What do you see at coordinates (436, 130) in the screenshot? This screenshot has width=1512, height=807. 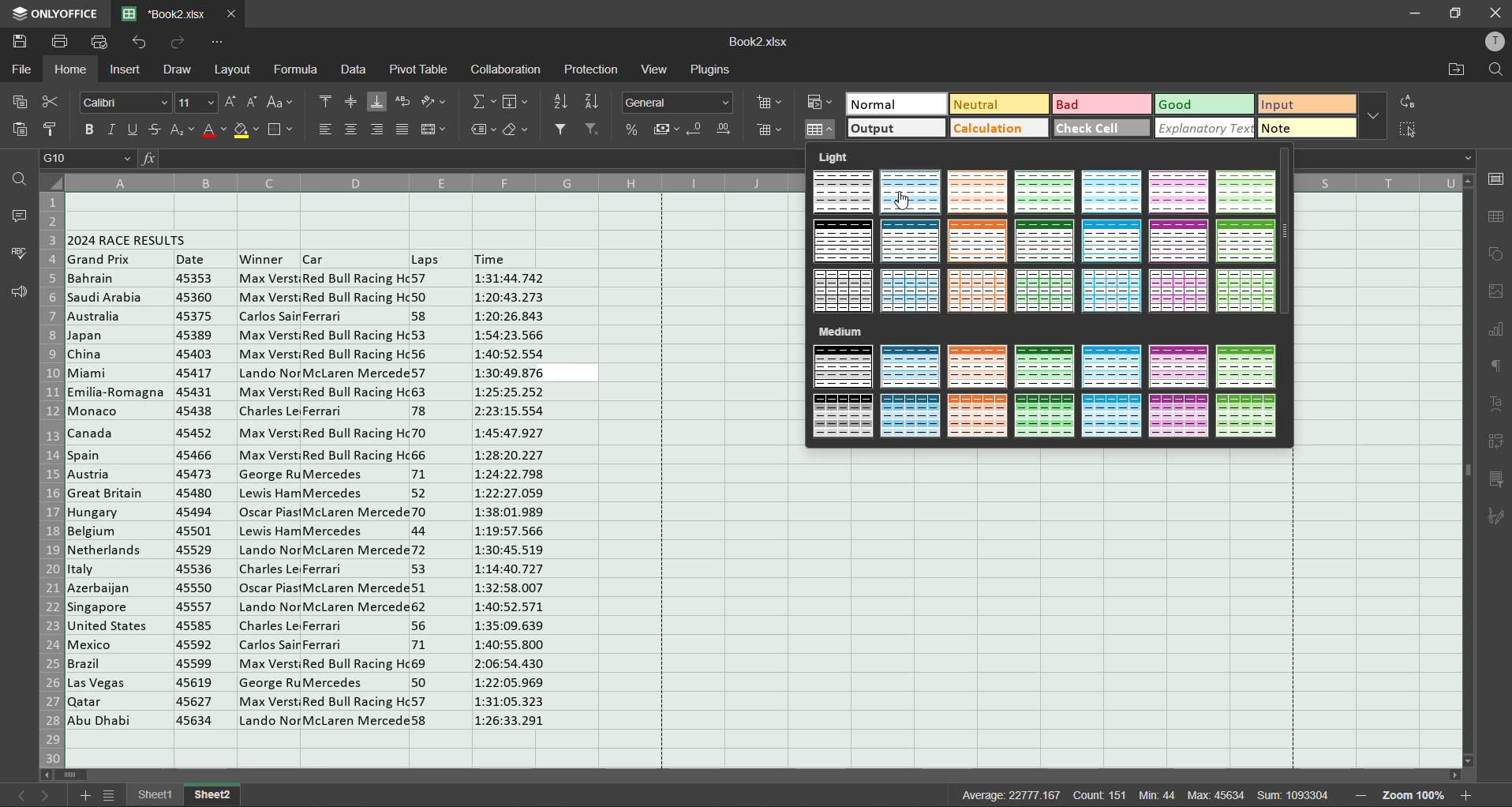 I see `merge and center` at bounding box center [436, 130].